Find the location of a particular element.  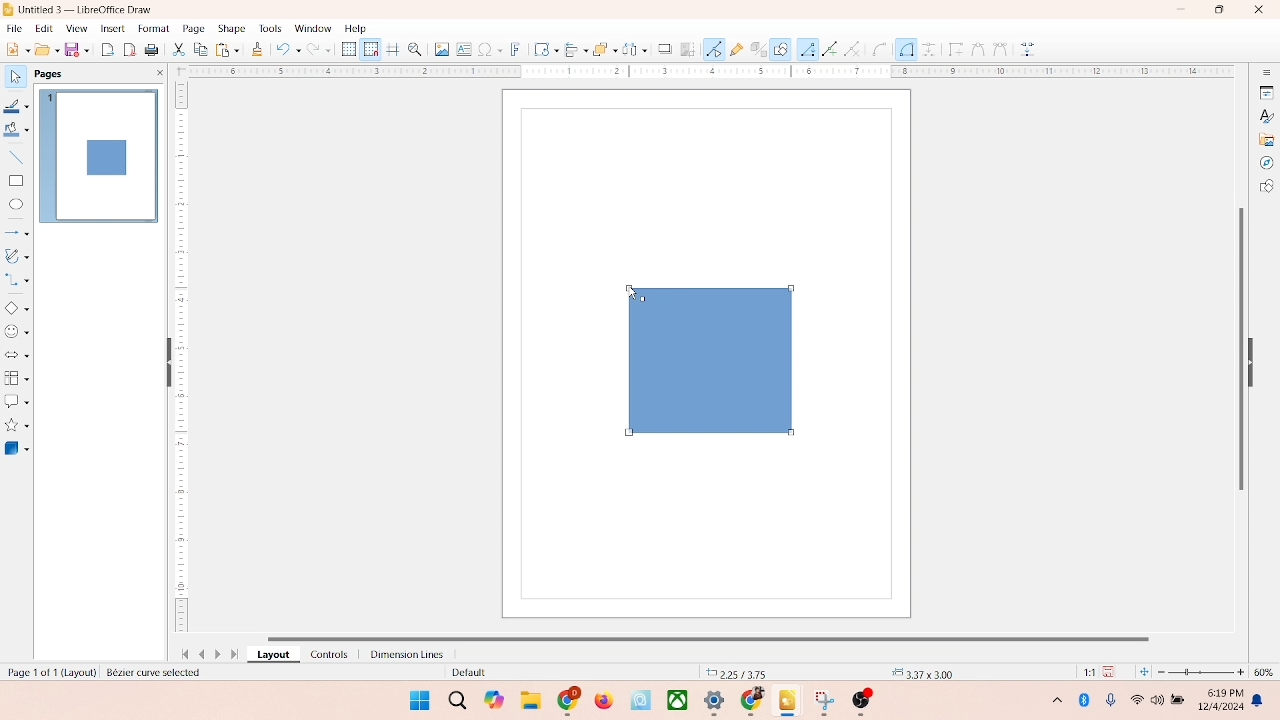

page is located at coordinates (191, 29).